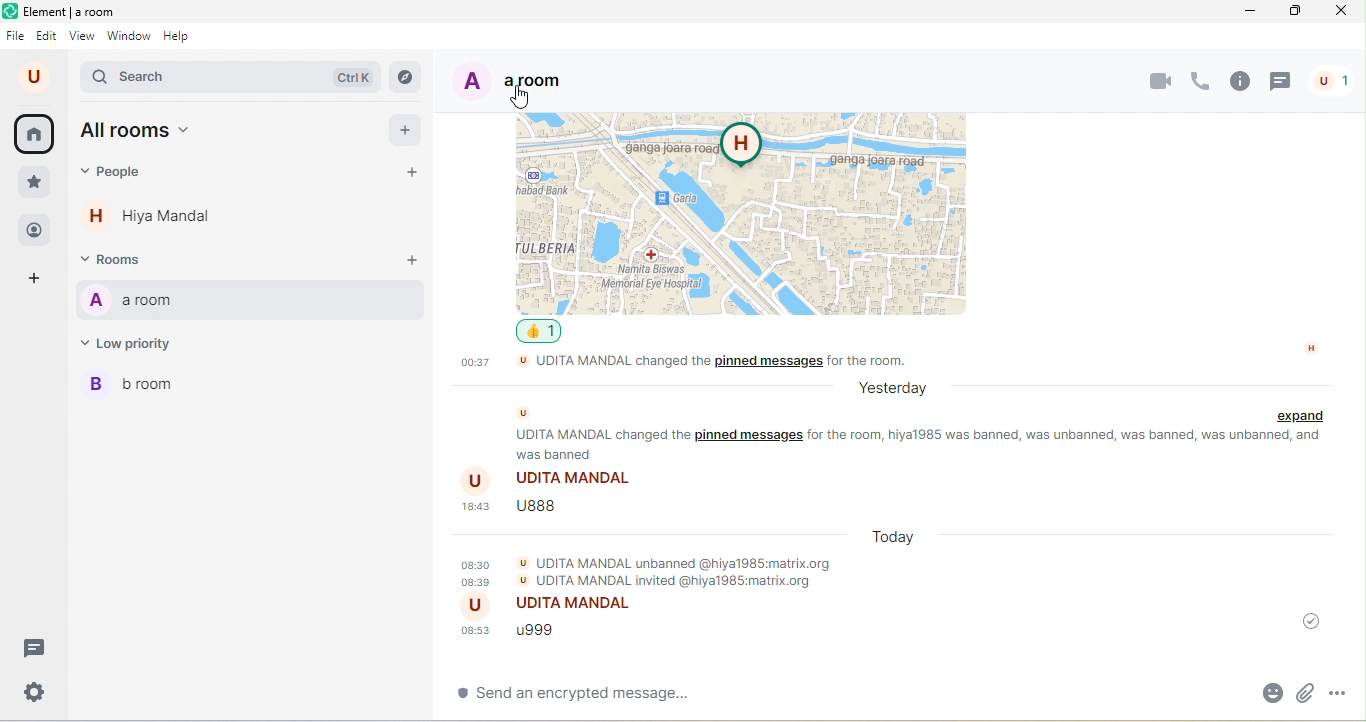  What do you see at coordinates (907, 534) in the screenshot?
I see `today` at bounding box center [907, 534].